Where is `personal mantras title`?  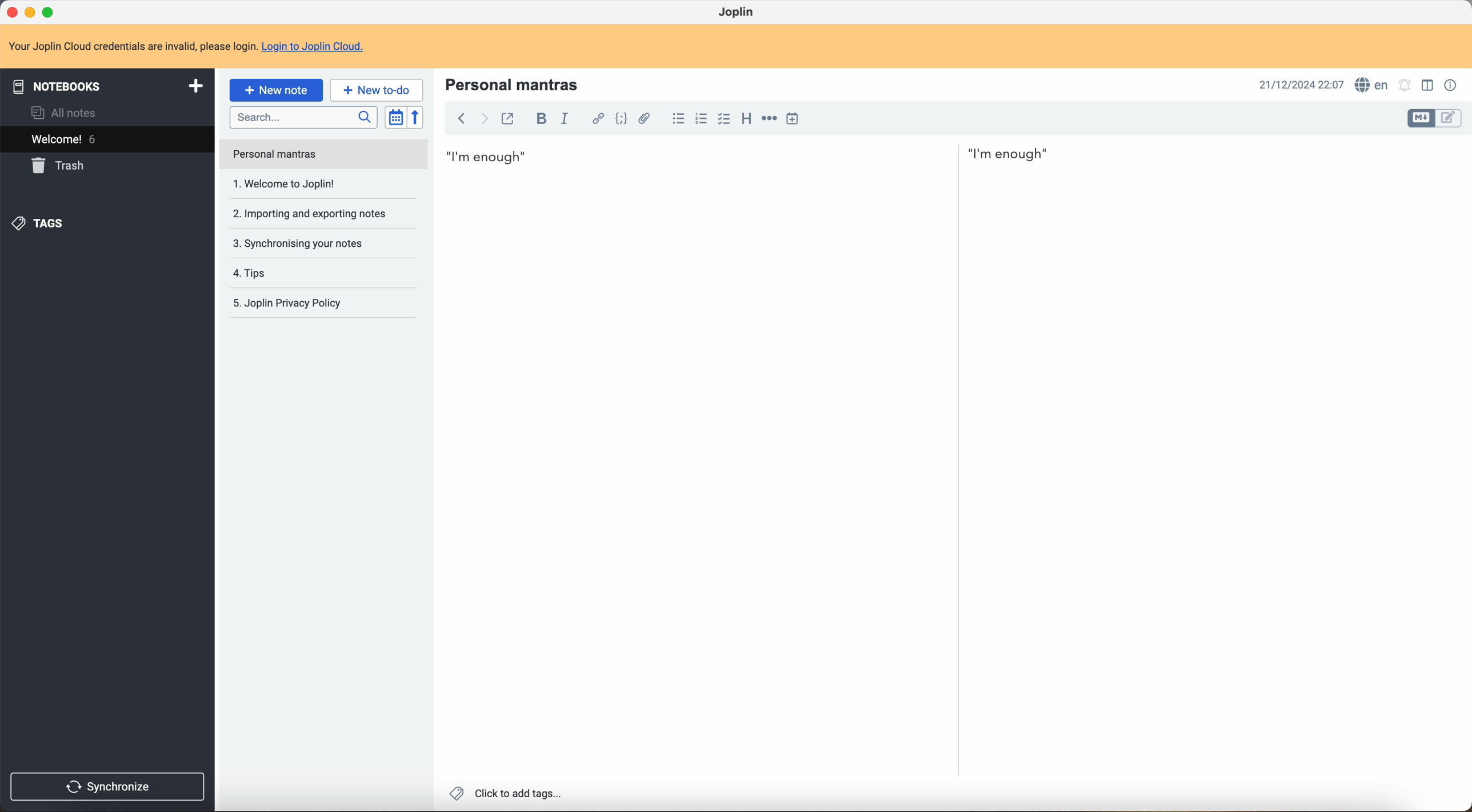 personal mantras title is located at coordinates (516, 83).